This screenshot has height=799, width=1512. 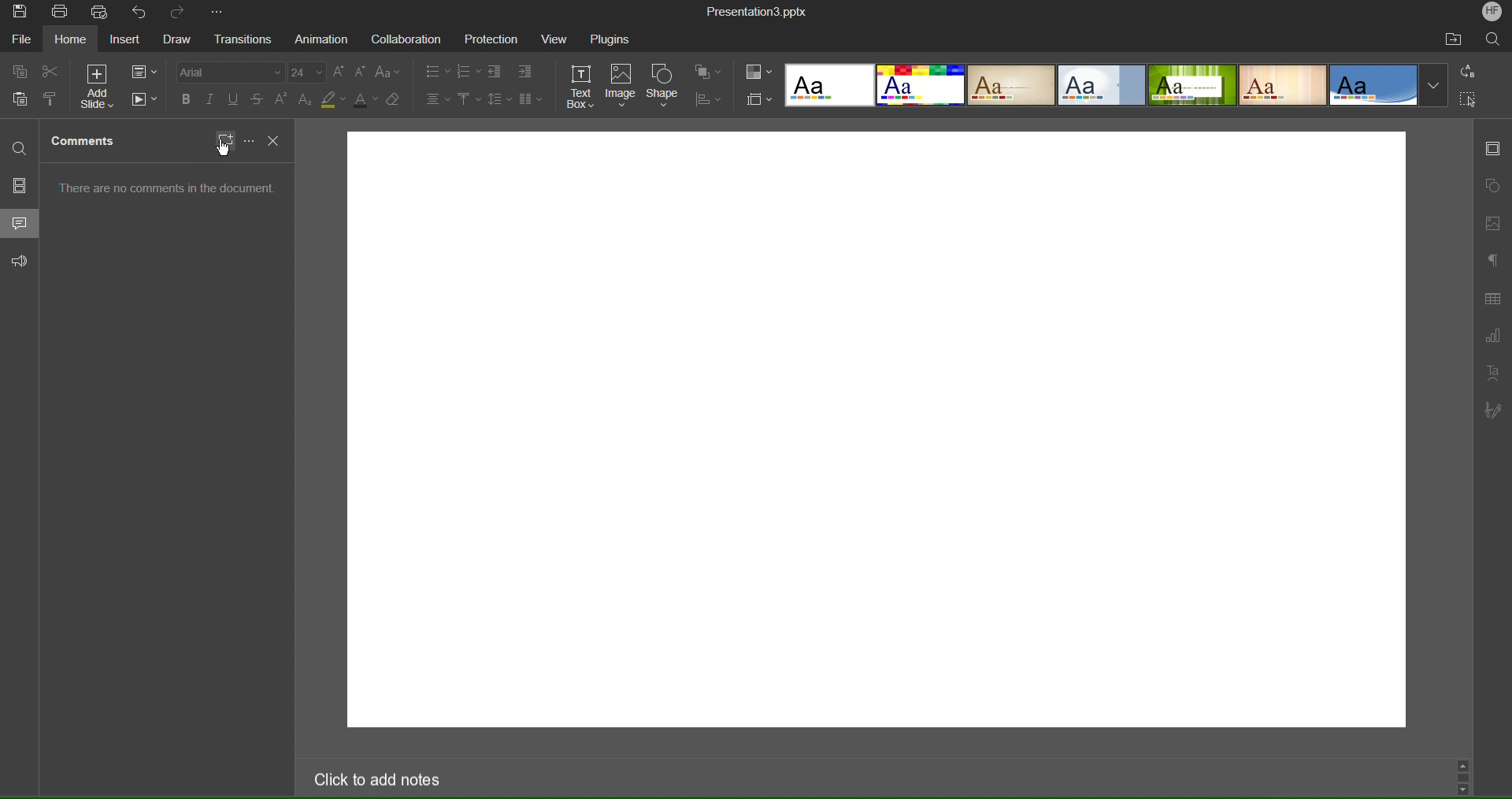 I want to click on Playback, so click(x=145, y=99).